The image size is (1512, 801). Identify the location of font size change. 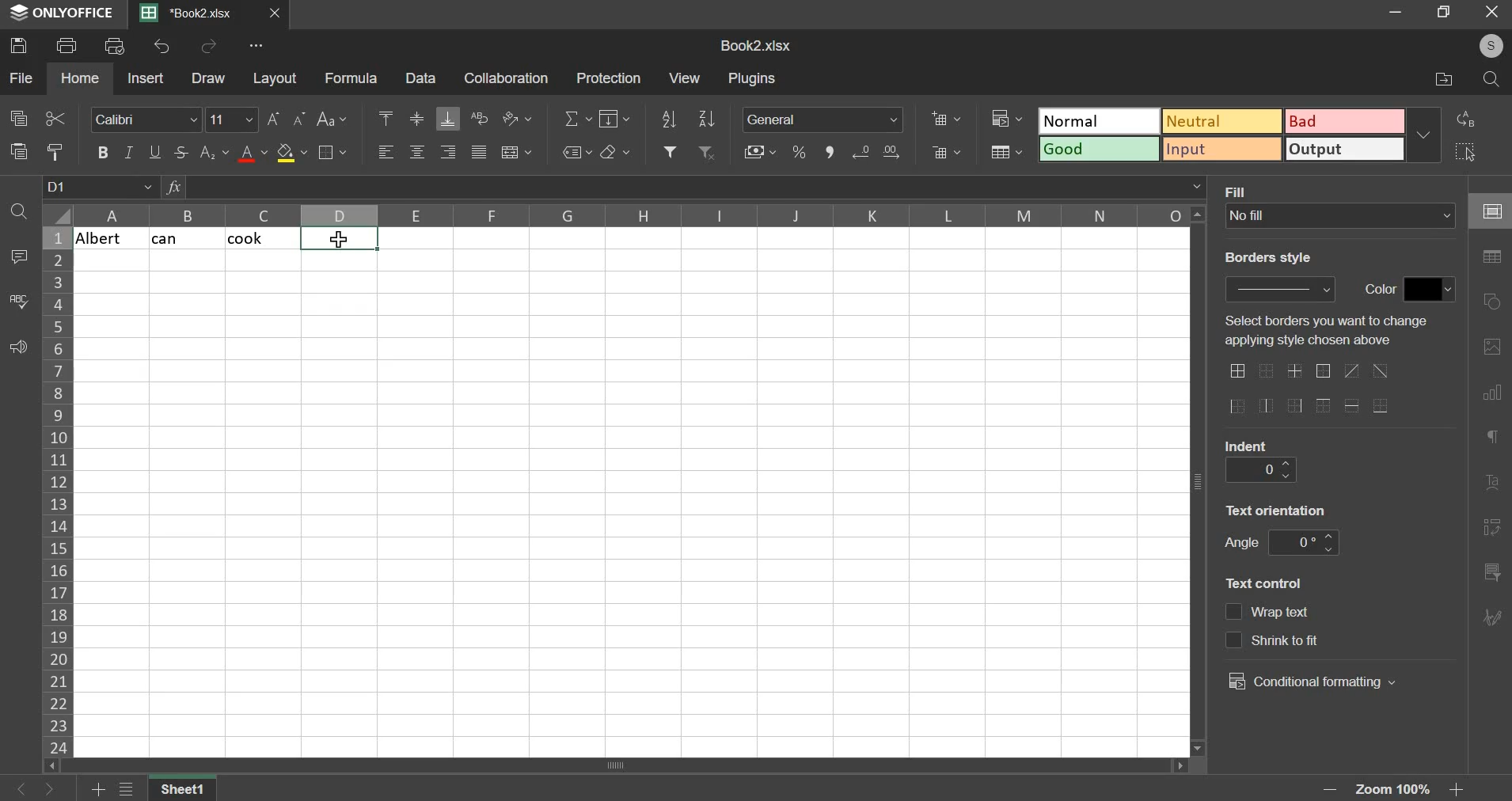
(288, 119).